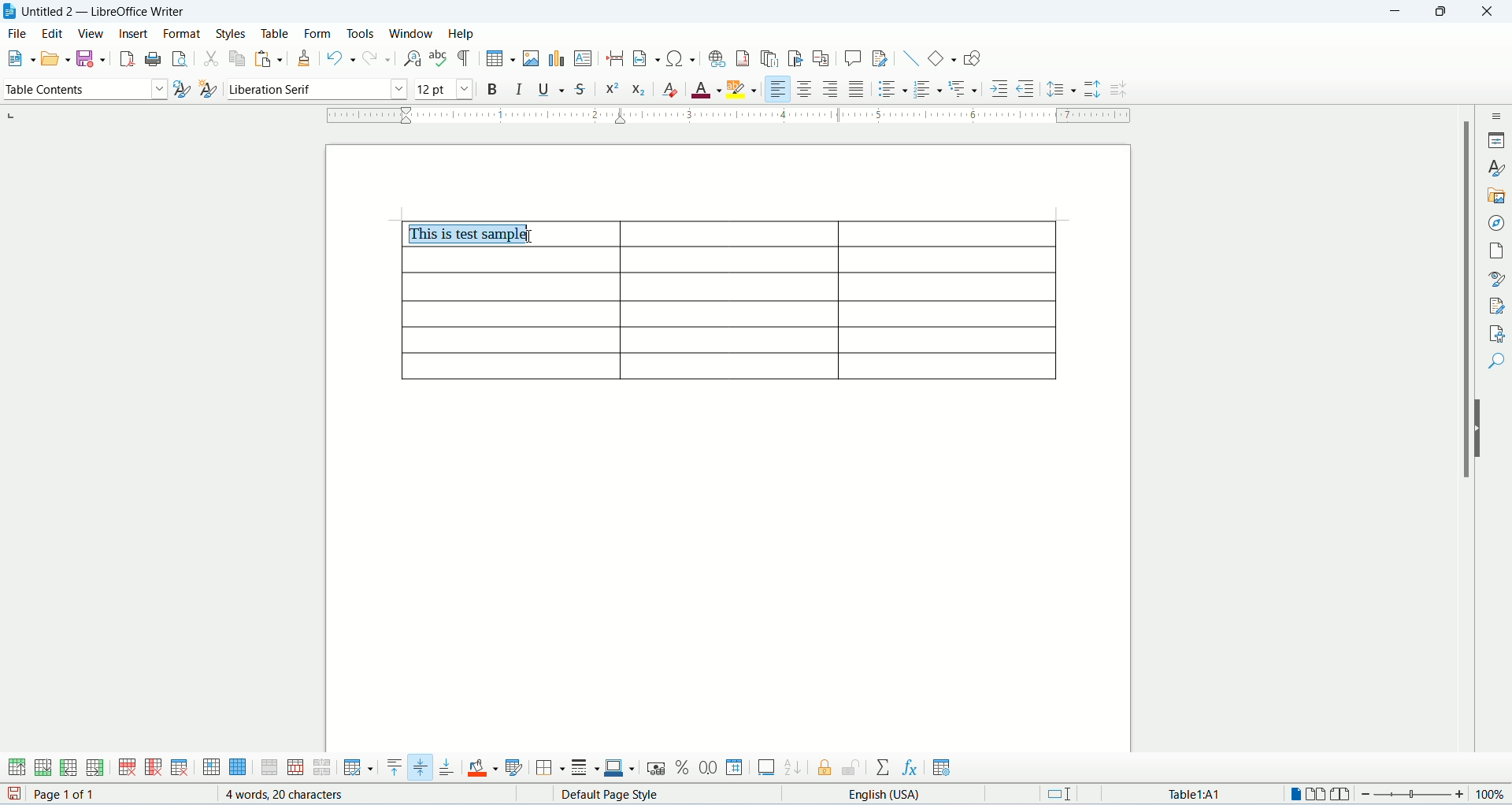  What do you see at coordinates (1183, 793) in the screenshot?
I see `table cell address` at bounding box center [1183, 793].